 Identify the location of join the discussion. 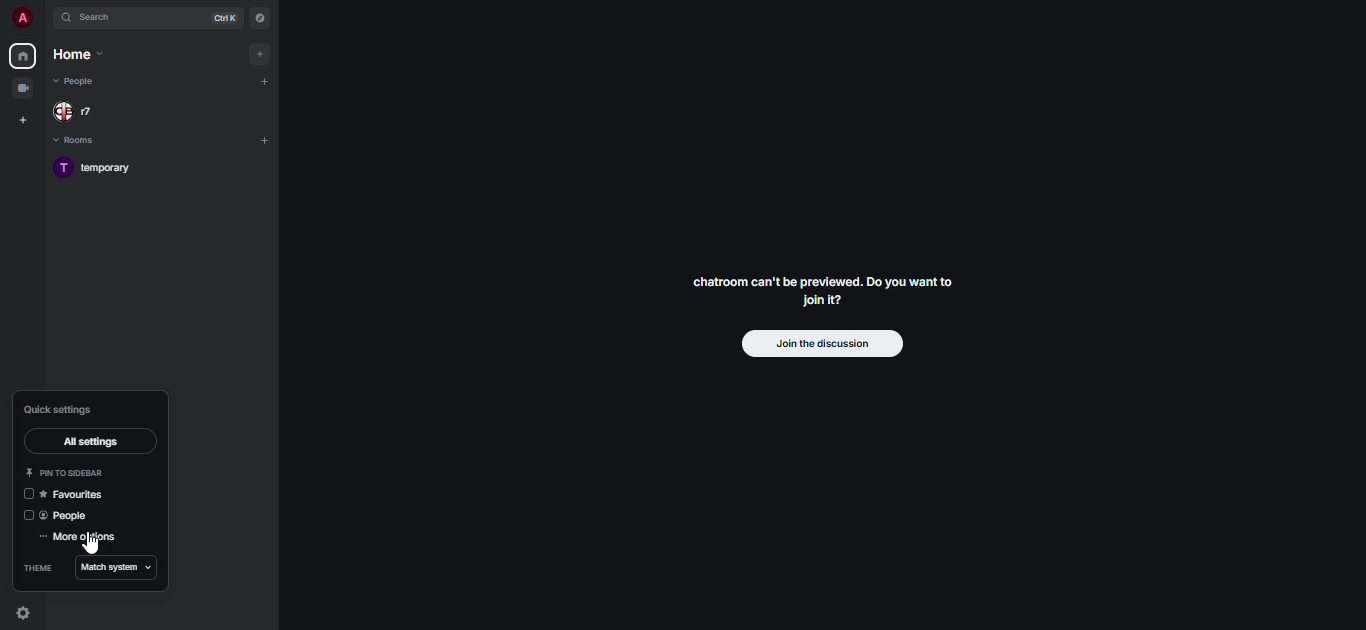
(820, 343).